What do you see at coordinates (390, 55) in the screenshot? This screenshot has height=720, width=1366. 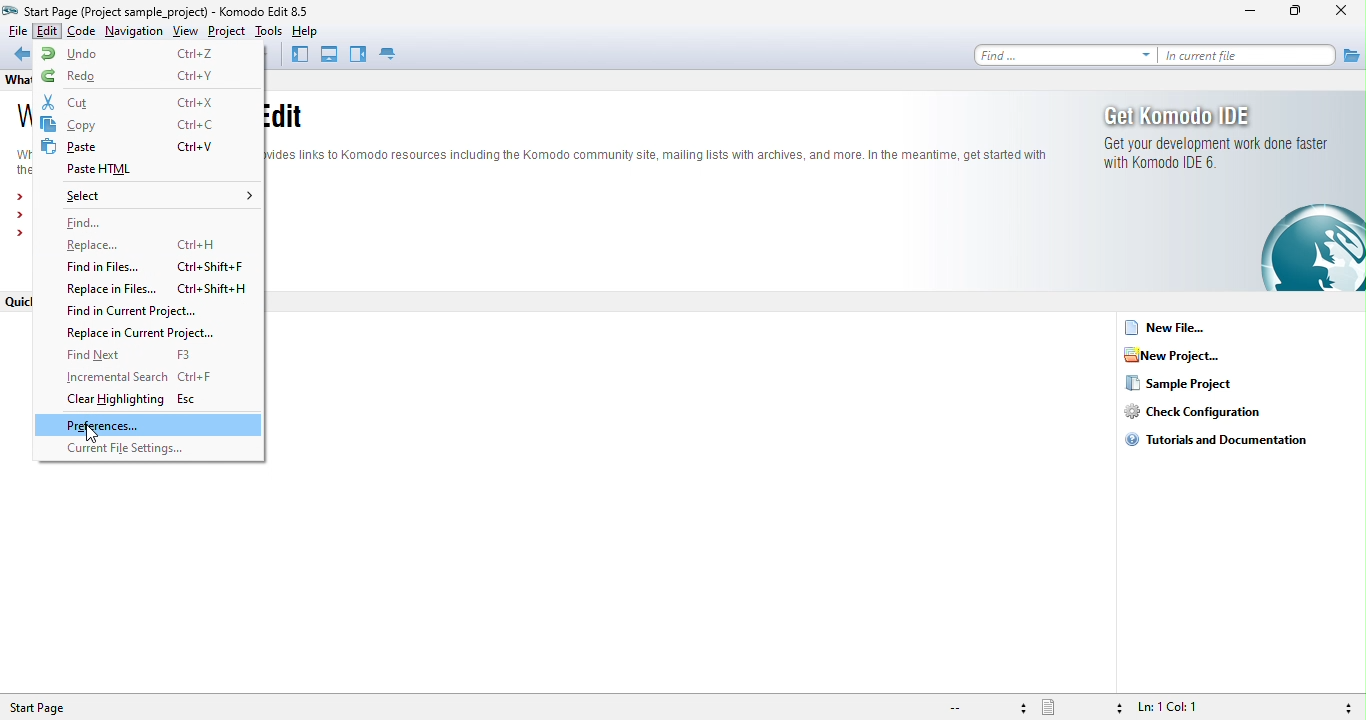 I see `tab` at bounding box center [390, 55].